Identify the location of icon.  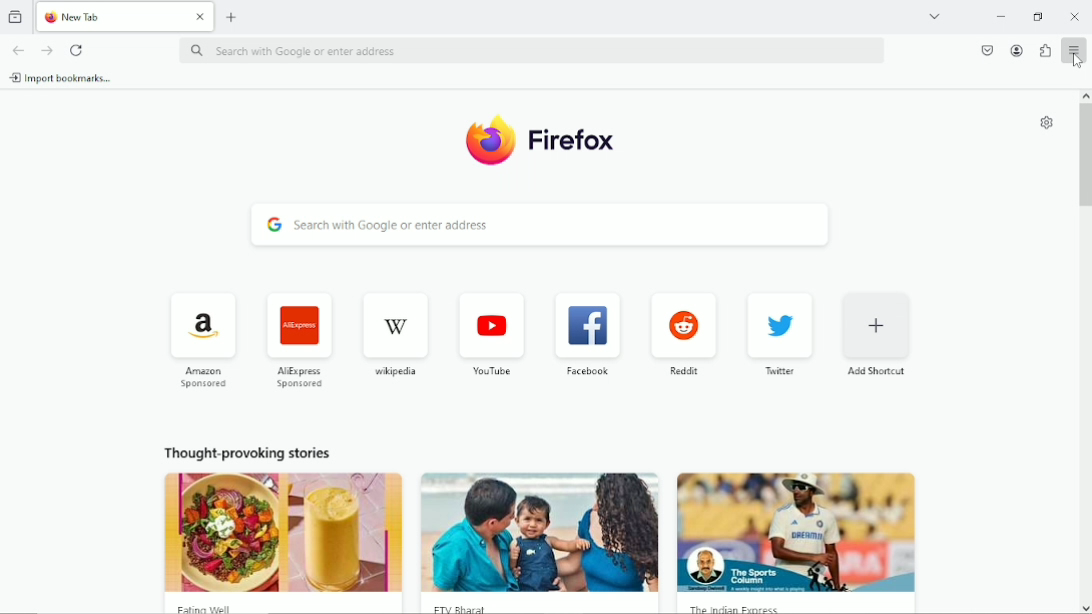
(392, 328).